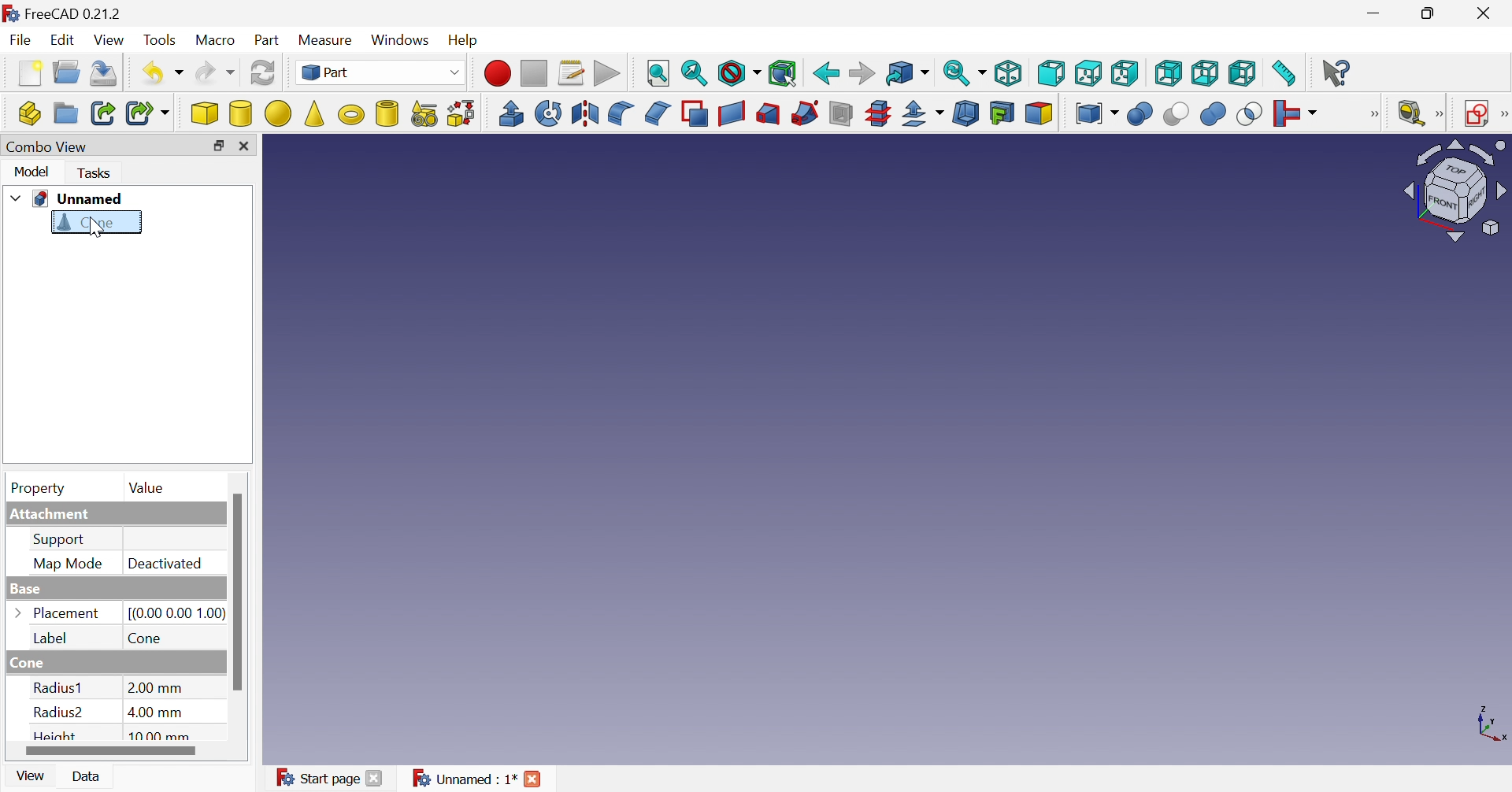  I want to click on Bottom, so click(1206, 73).